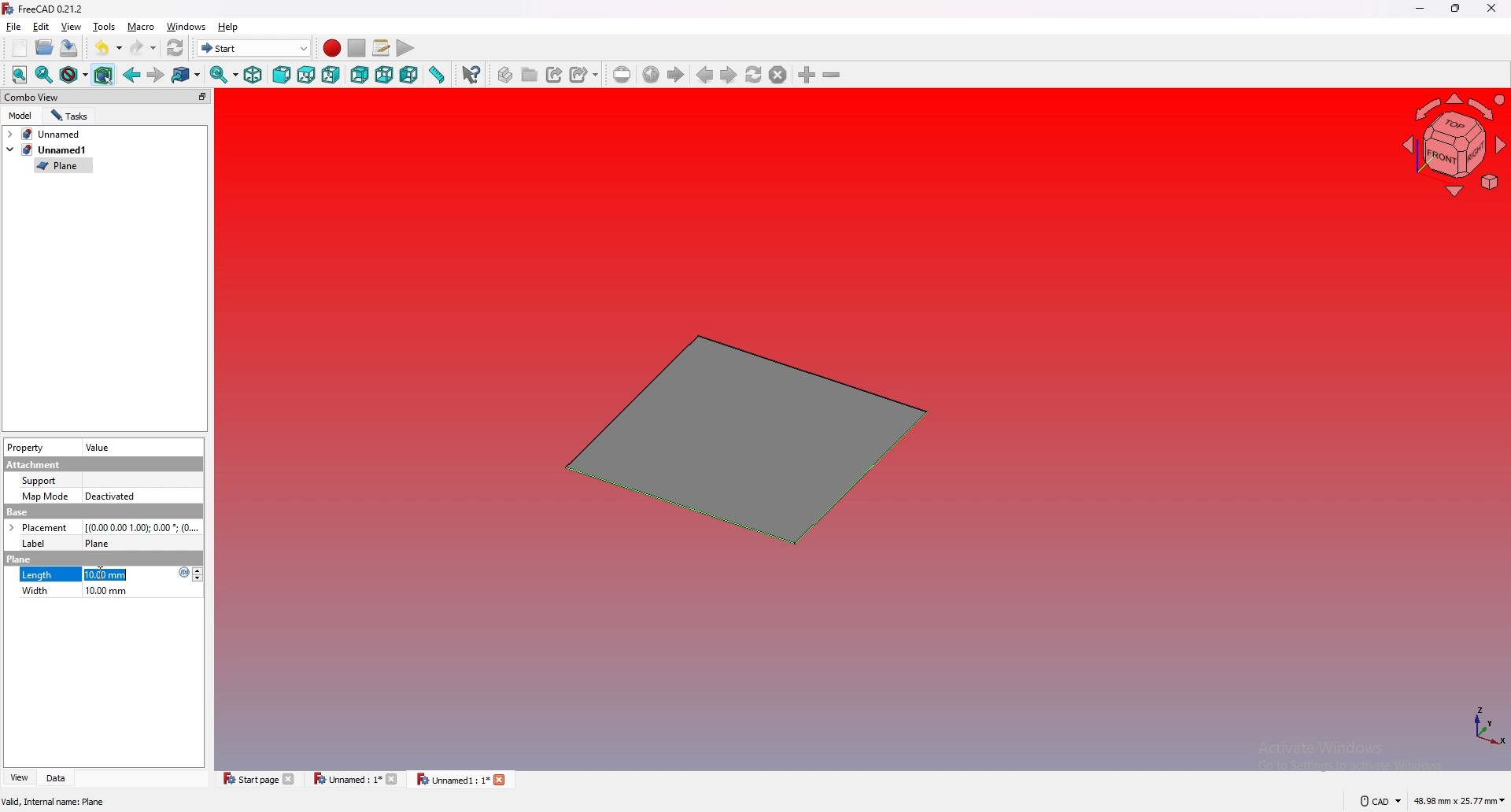 Image resolution: width=1511 pixels, height=812 pixels. I want to click on sync view, so click(224, 74).